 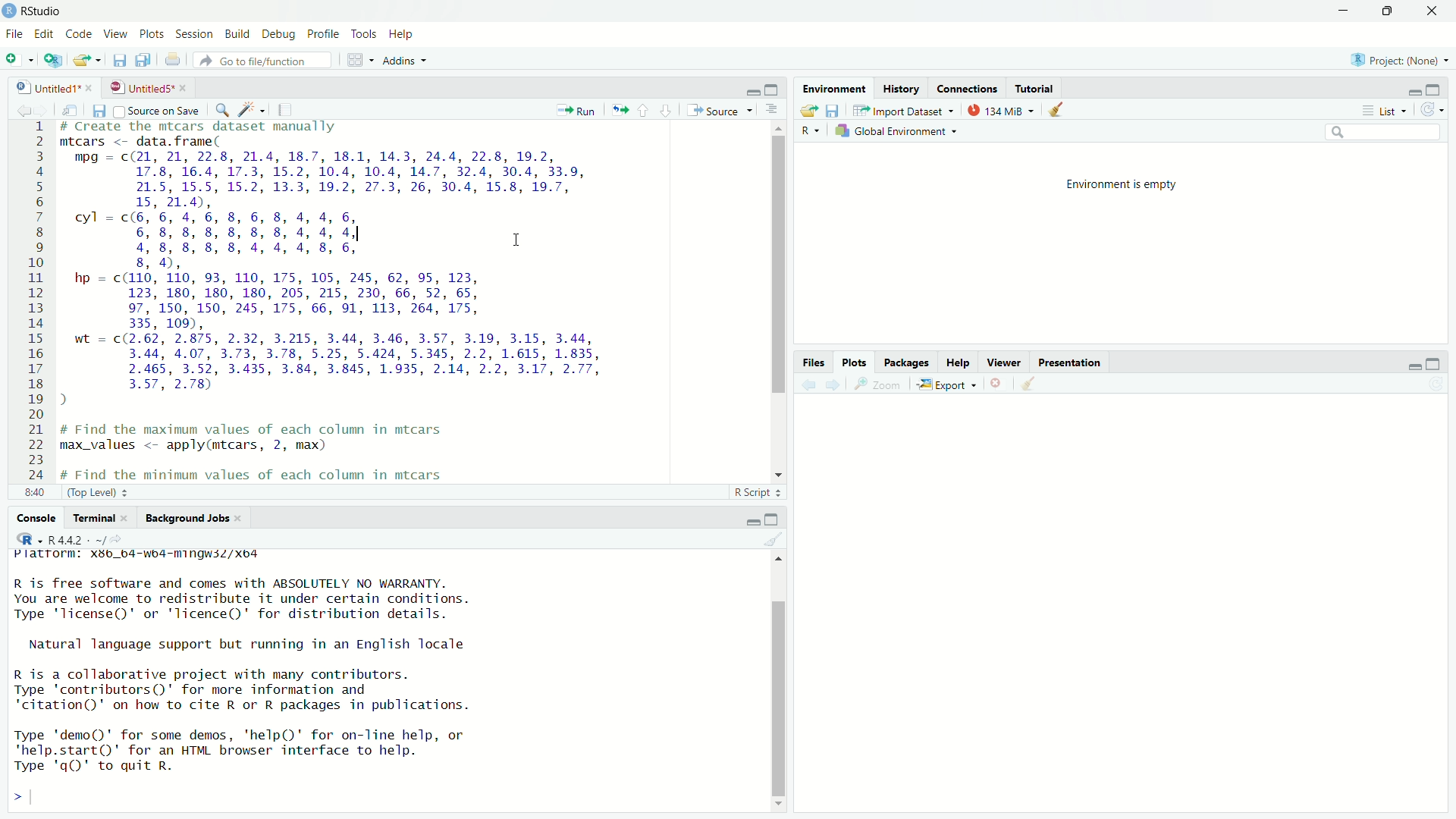 What do you see at coordinates (953, 360) in the screenshot?
I see `Help` at bounding box center [953, 360].